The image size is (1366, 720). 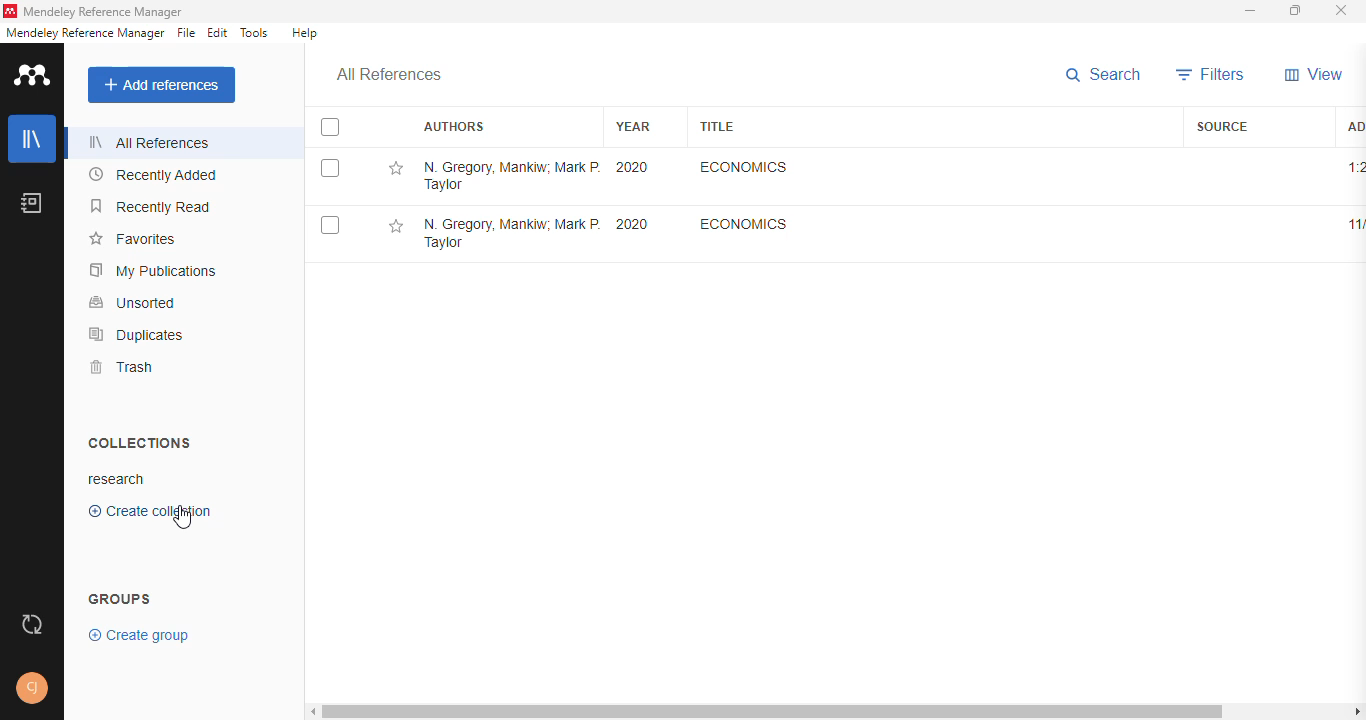 I want to click on 2020, so click(x=633, y=167).